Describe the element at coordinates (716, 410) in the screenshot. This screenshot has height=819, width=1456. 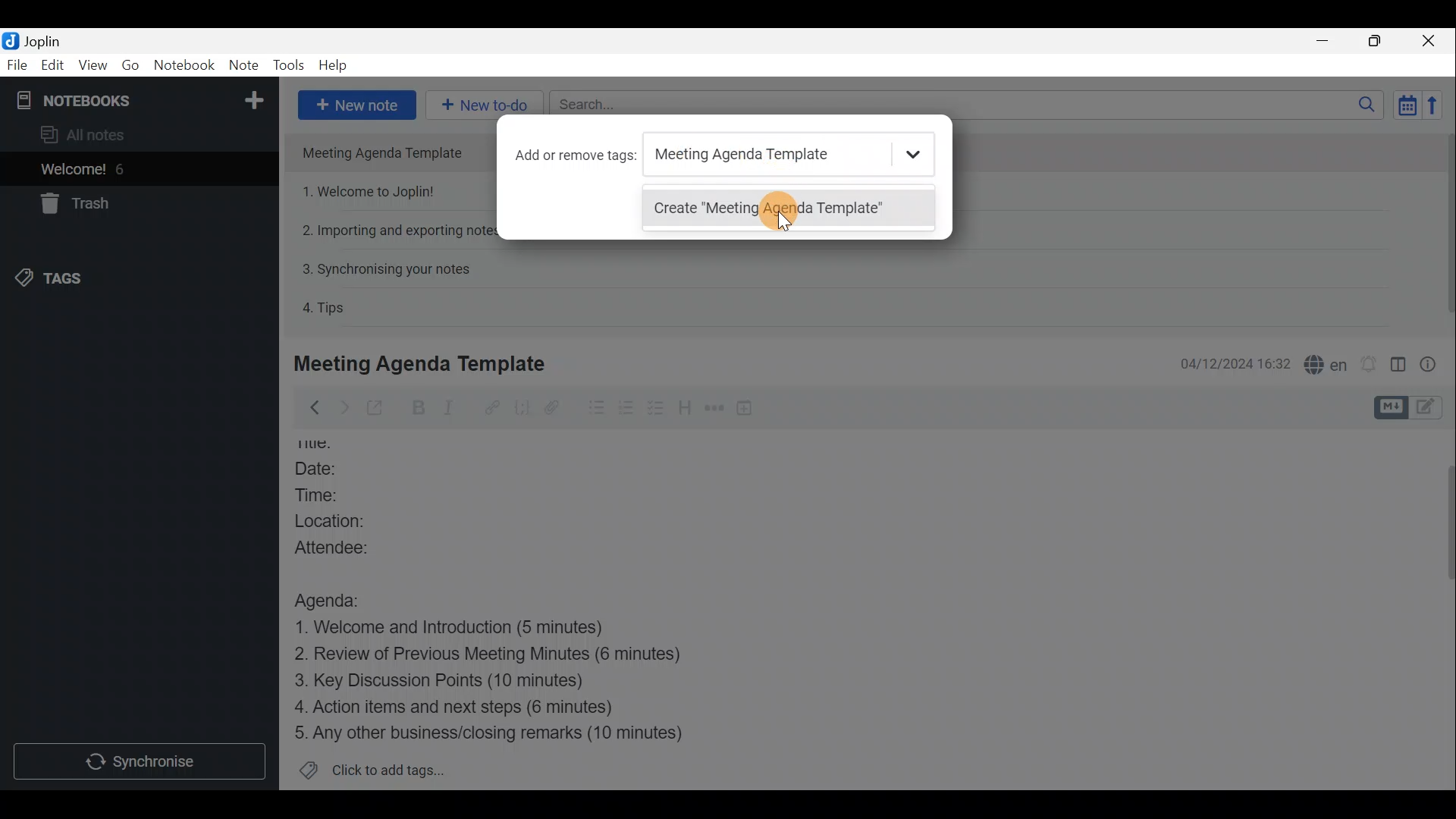
I see `Horizontal rule` at that location.